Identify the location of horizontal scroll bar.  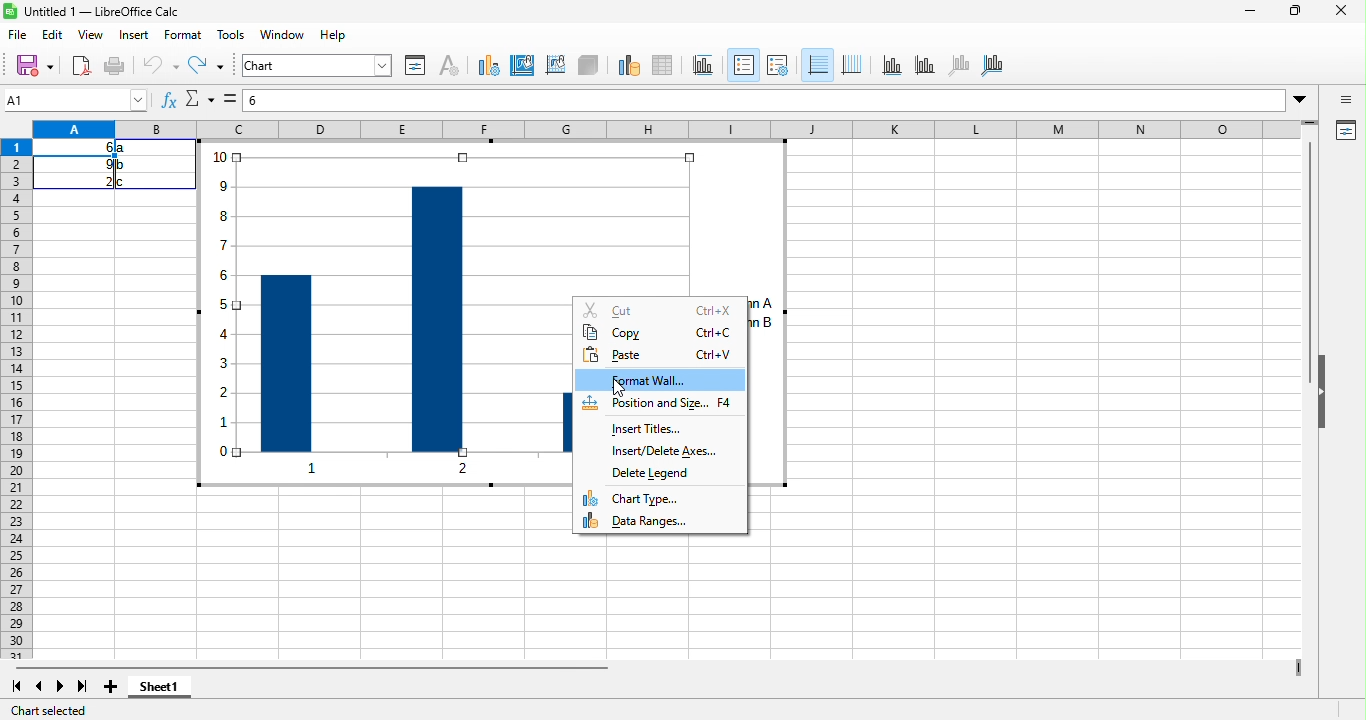
(351, 670).